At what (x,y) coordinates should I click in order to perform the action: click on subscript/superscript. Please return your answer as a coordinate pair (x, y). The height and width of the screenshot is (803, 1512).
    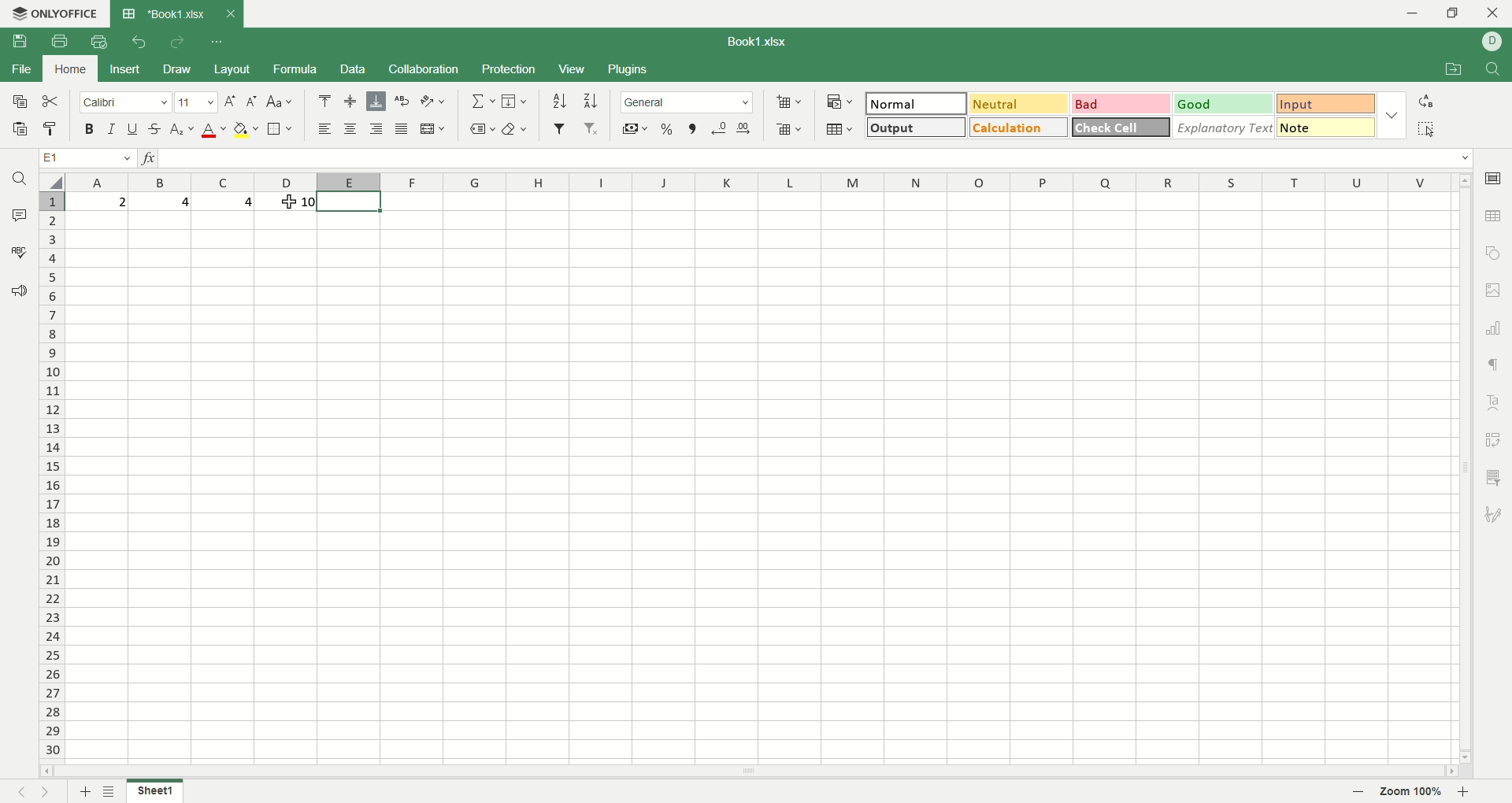
    Looking at the image, I should click on (182, 130).